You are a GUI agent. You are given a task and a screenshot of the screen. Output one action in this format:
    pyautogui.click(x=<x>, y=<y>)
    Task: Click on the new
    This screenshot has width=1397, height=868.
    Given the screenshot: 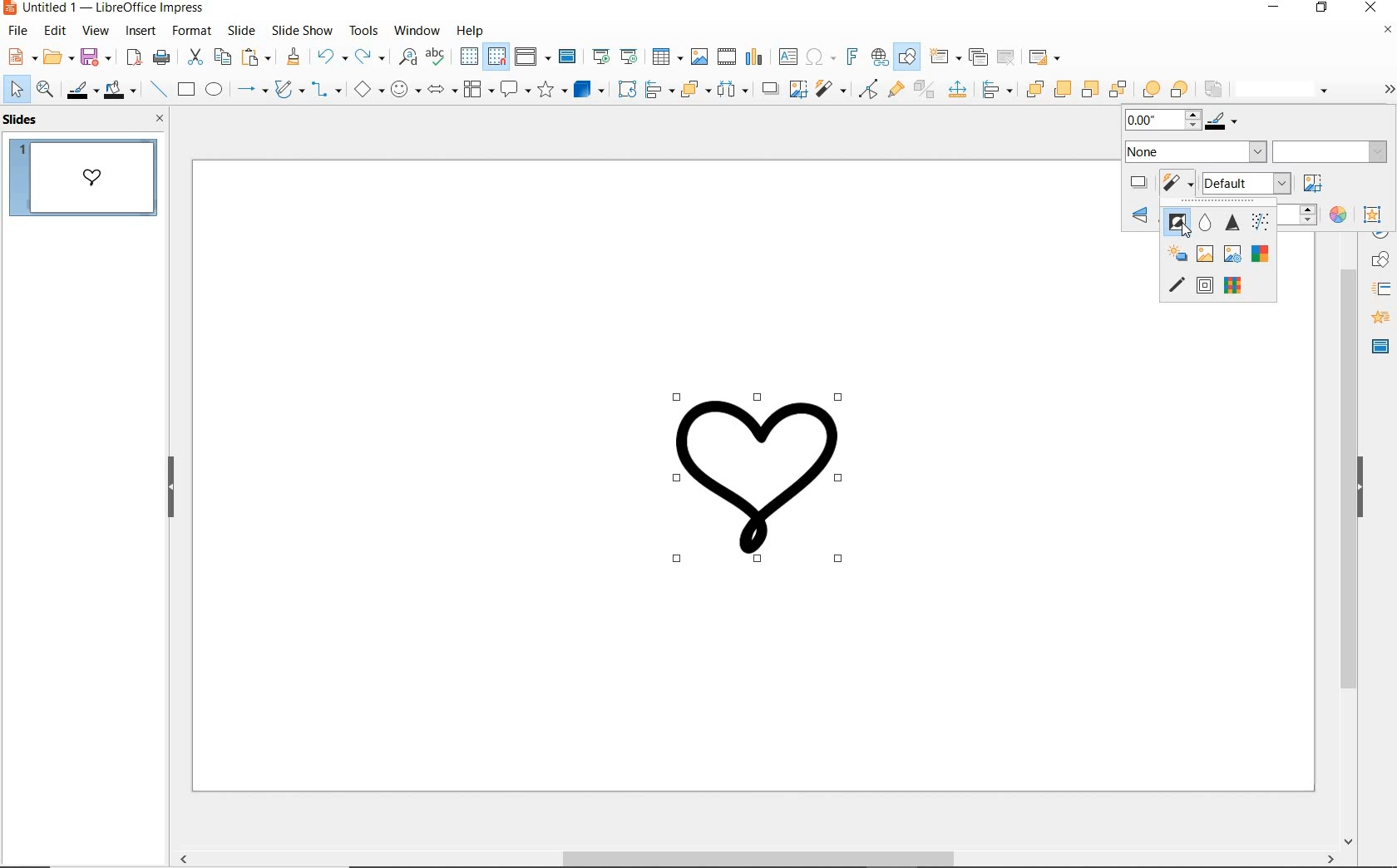 What is the action you would take?
    pyautogui.click(x=19, y=57)
    